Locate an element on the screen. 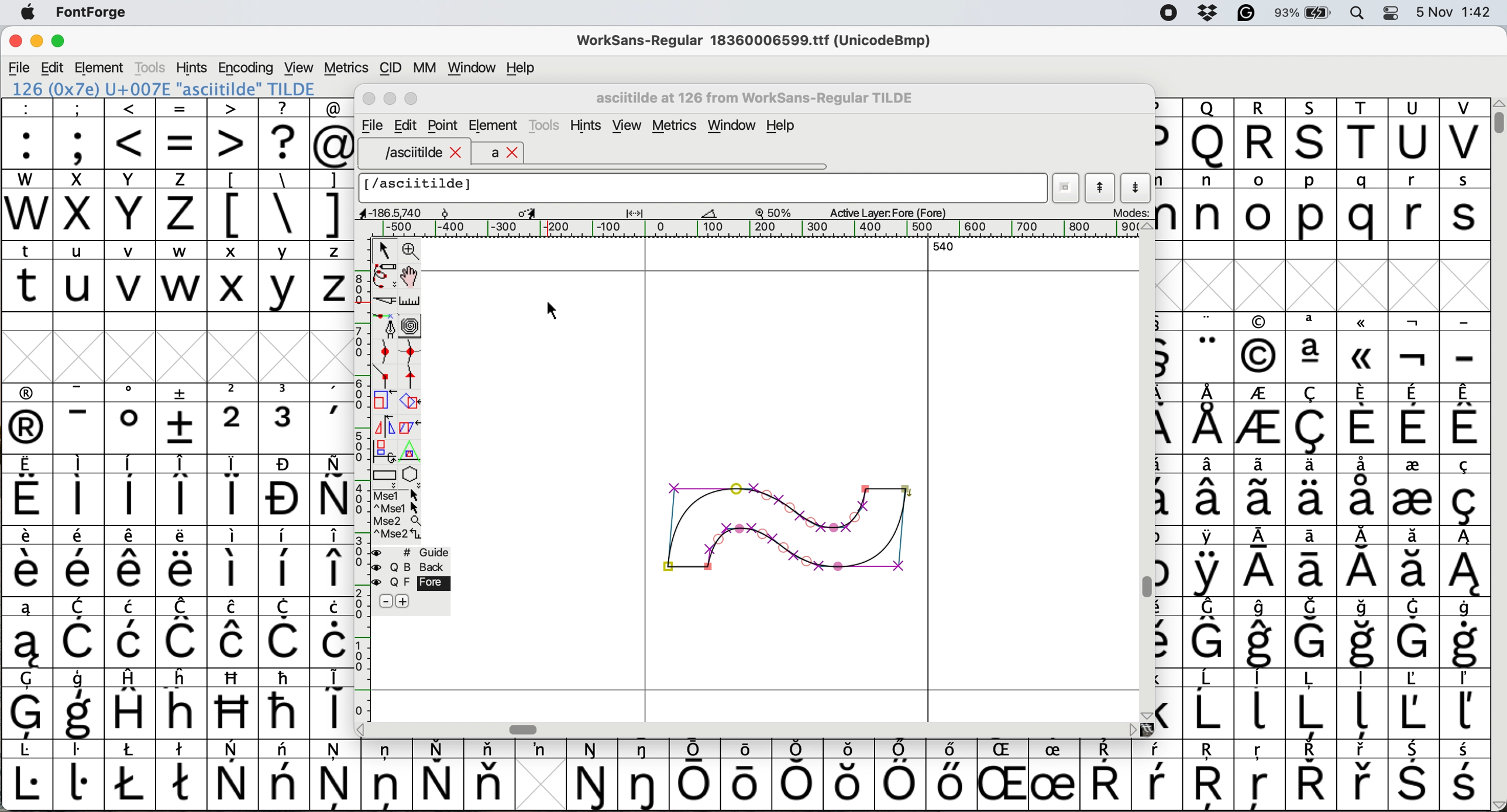  symbol is located at coordinates (1054, 776).